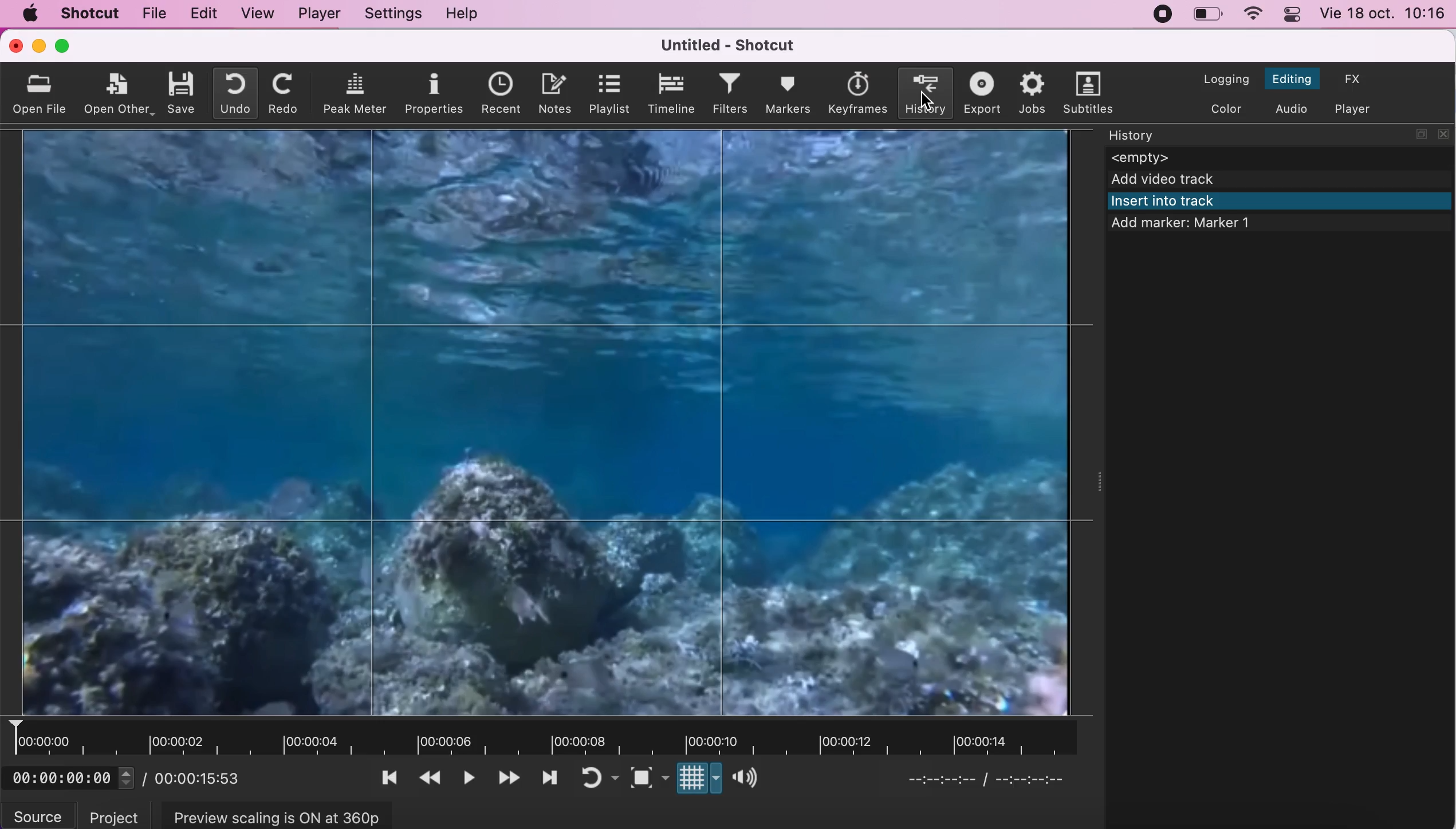 This screenshot has width=1456, height=829. What do you see at coordinates (434, 94) in the screenshot?
I see `properties` at bounding box center [434, 94].